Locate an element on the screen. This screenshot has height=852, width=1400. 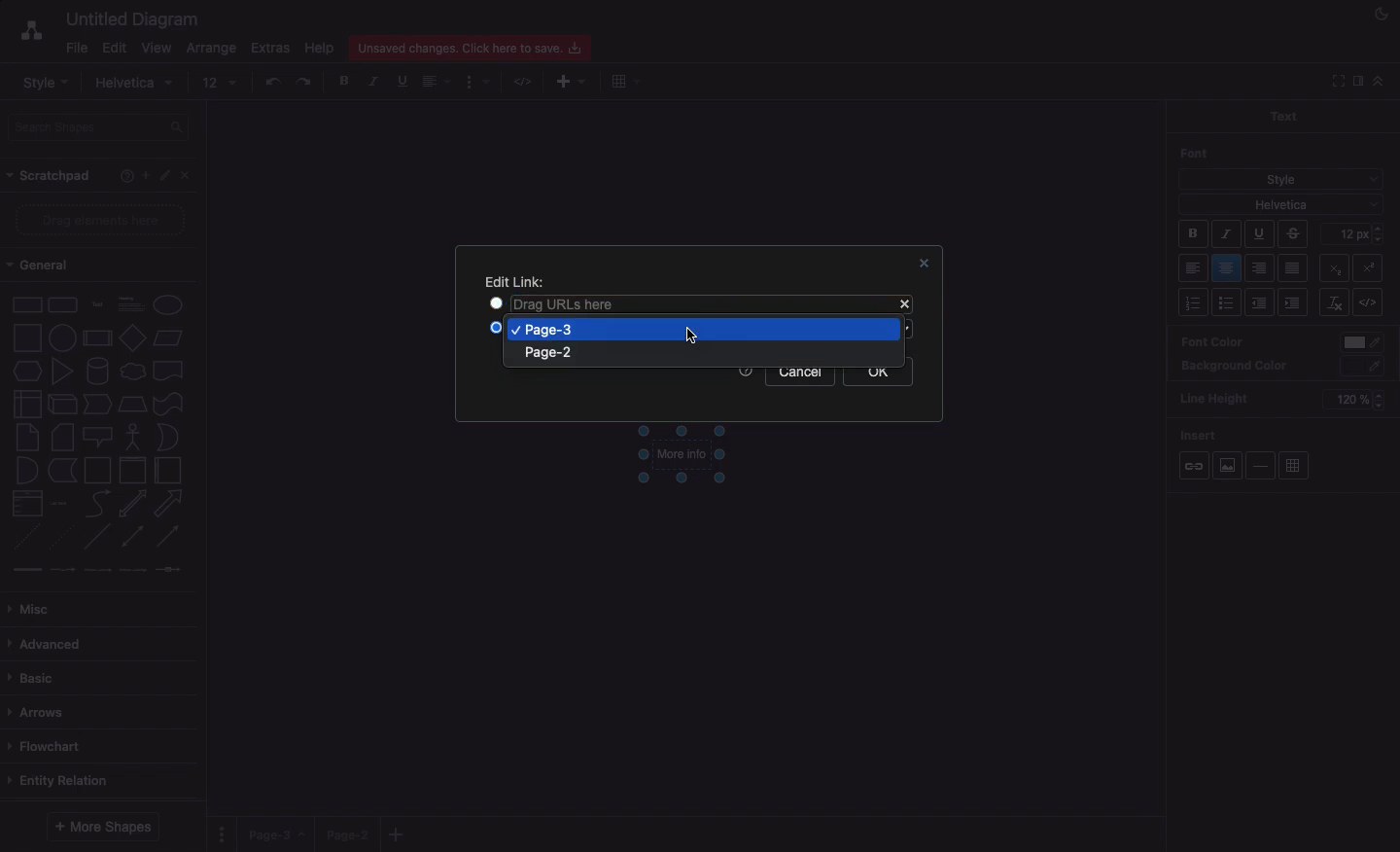
Image is located at coordinates (1226, 465).